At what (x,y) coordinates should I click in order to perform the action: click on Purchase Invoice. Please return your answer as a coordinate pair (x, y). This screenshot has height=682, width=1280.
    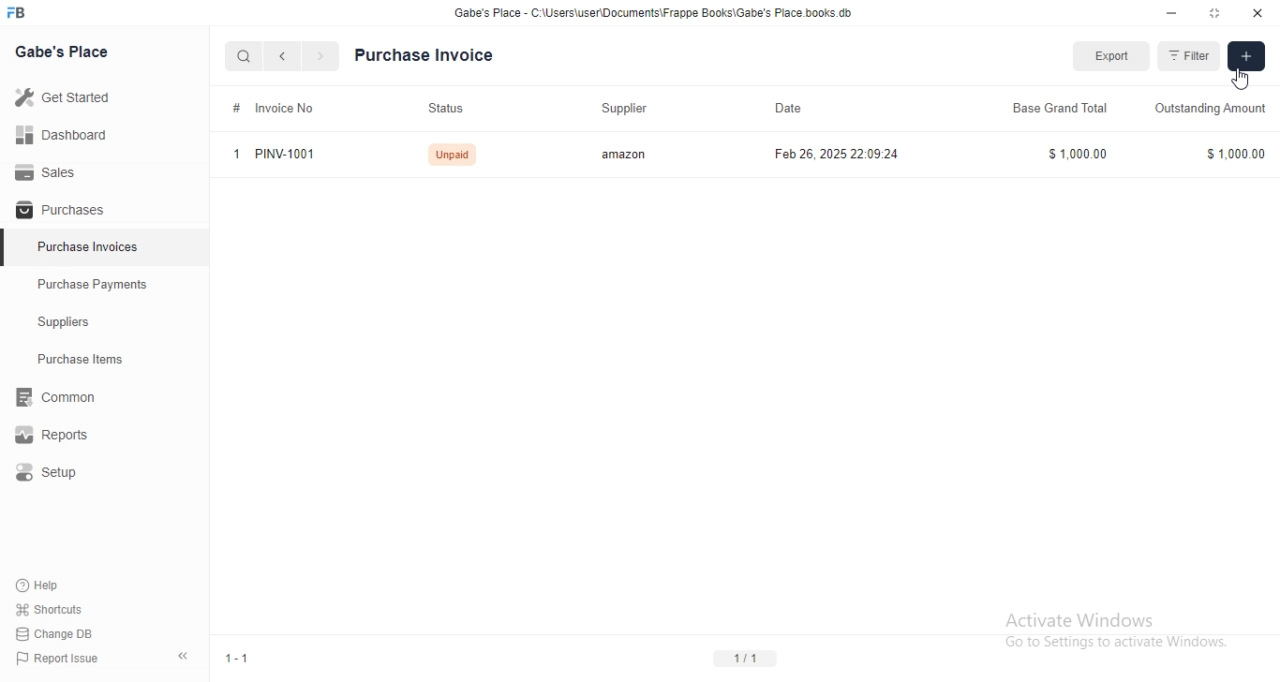
    Looking at the image, I should click on (425, 55).